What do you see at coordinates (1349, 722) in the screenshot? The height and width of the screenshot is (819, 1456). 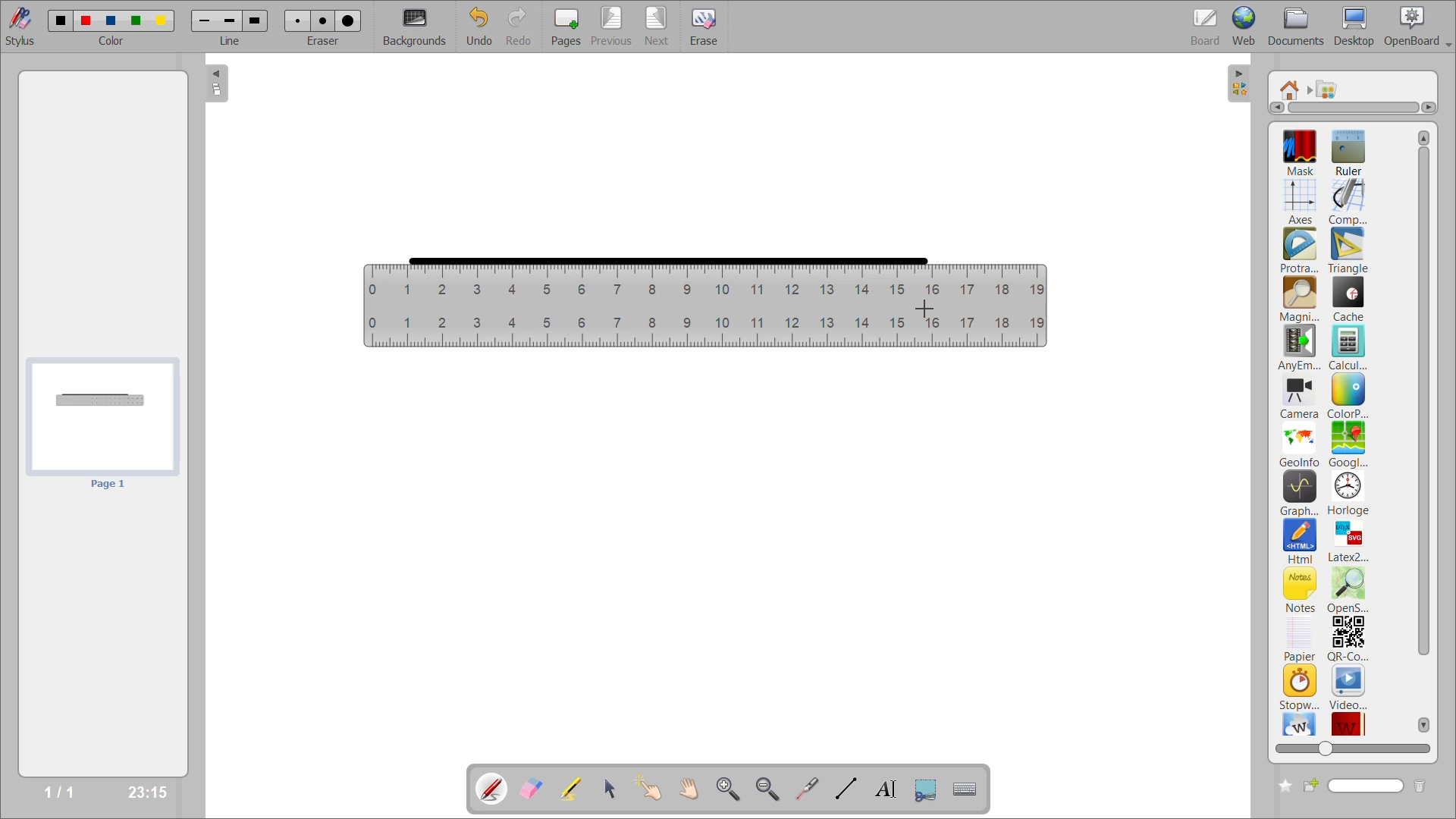 I see `wikittionary` at bounding box center [1349, 722].